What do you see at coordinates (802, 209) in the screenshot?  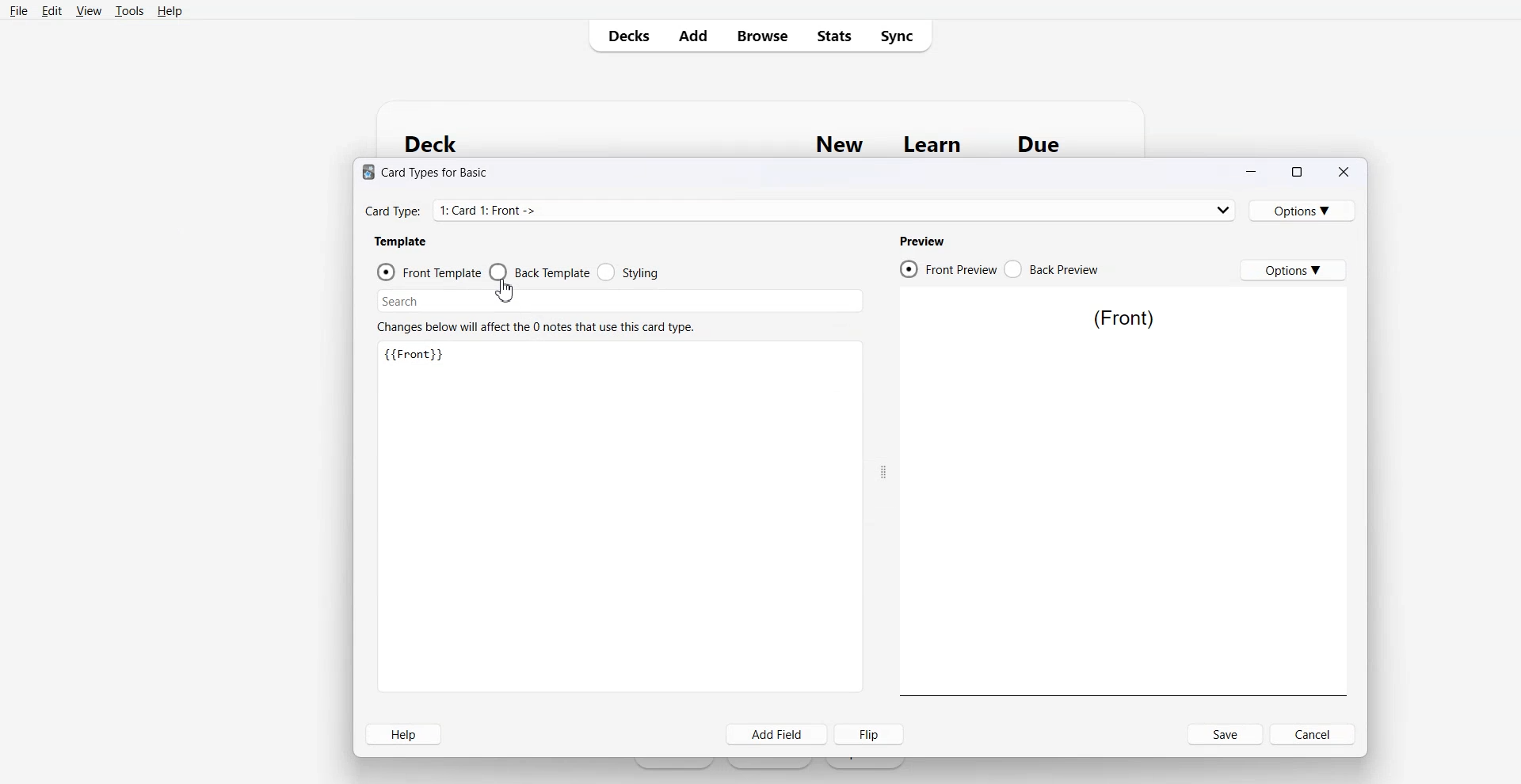 I see `Card type` at bounding box center [802, 209].